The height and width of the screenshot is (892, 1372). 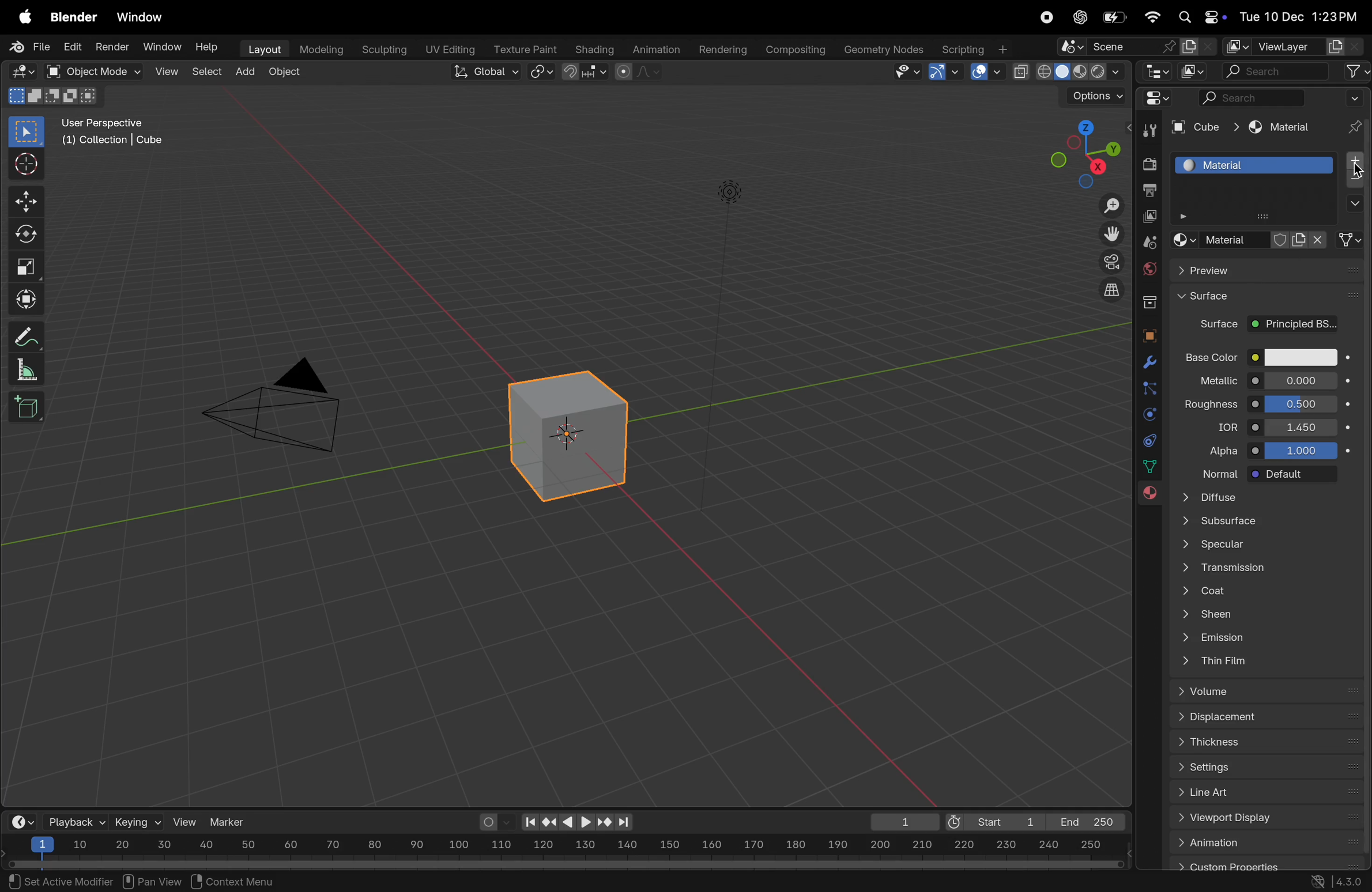 I want to click on end 250, so click(x=1084, y=822).